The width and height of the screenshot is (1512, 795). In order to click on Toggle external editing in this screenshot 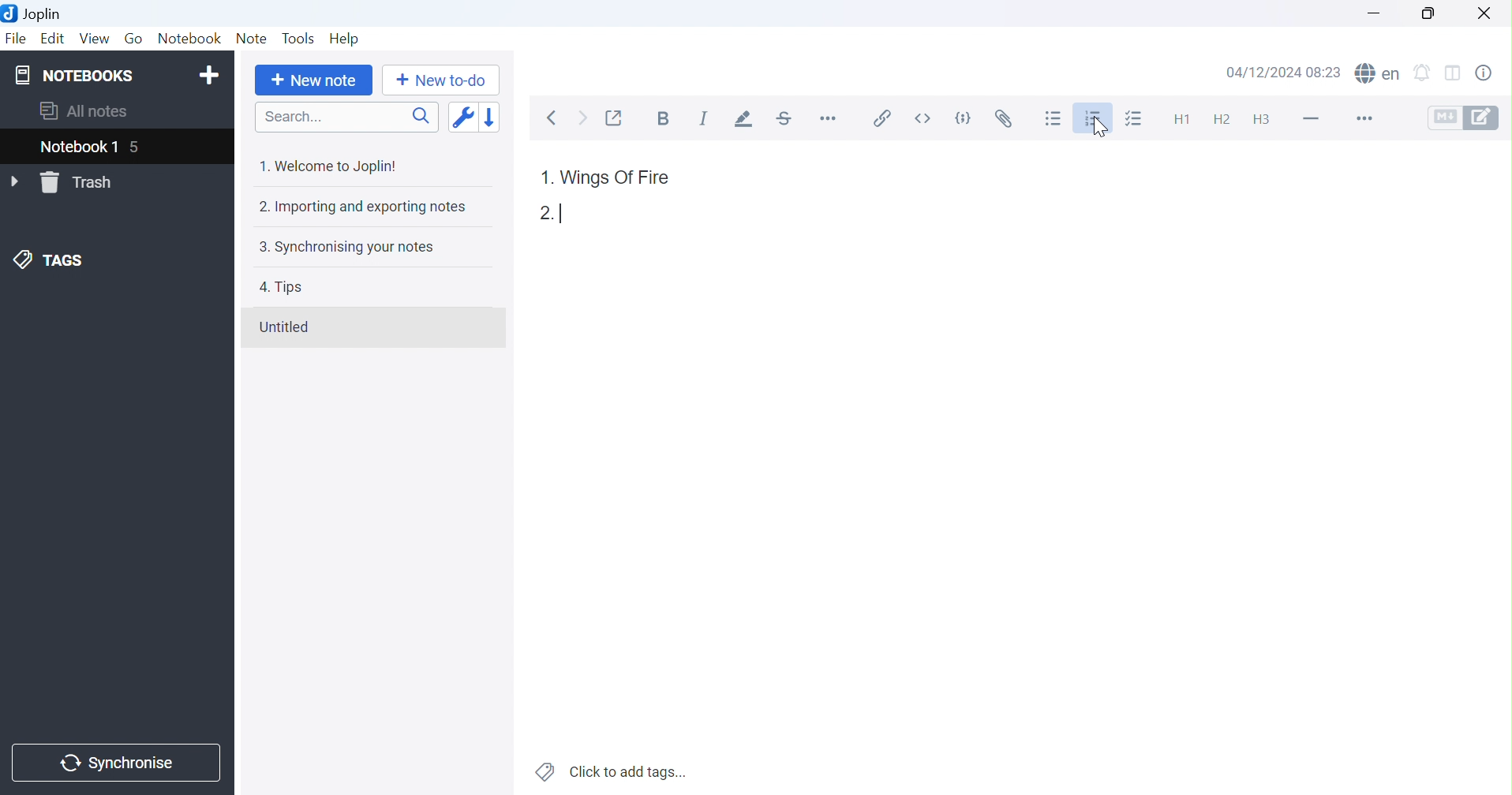, I will do `click(616, 117)`.